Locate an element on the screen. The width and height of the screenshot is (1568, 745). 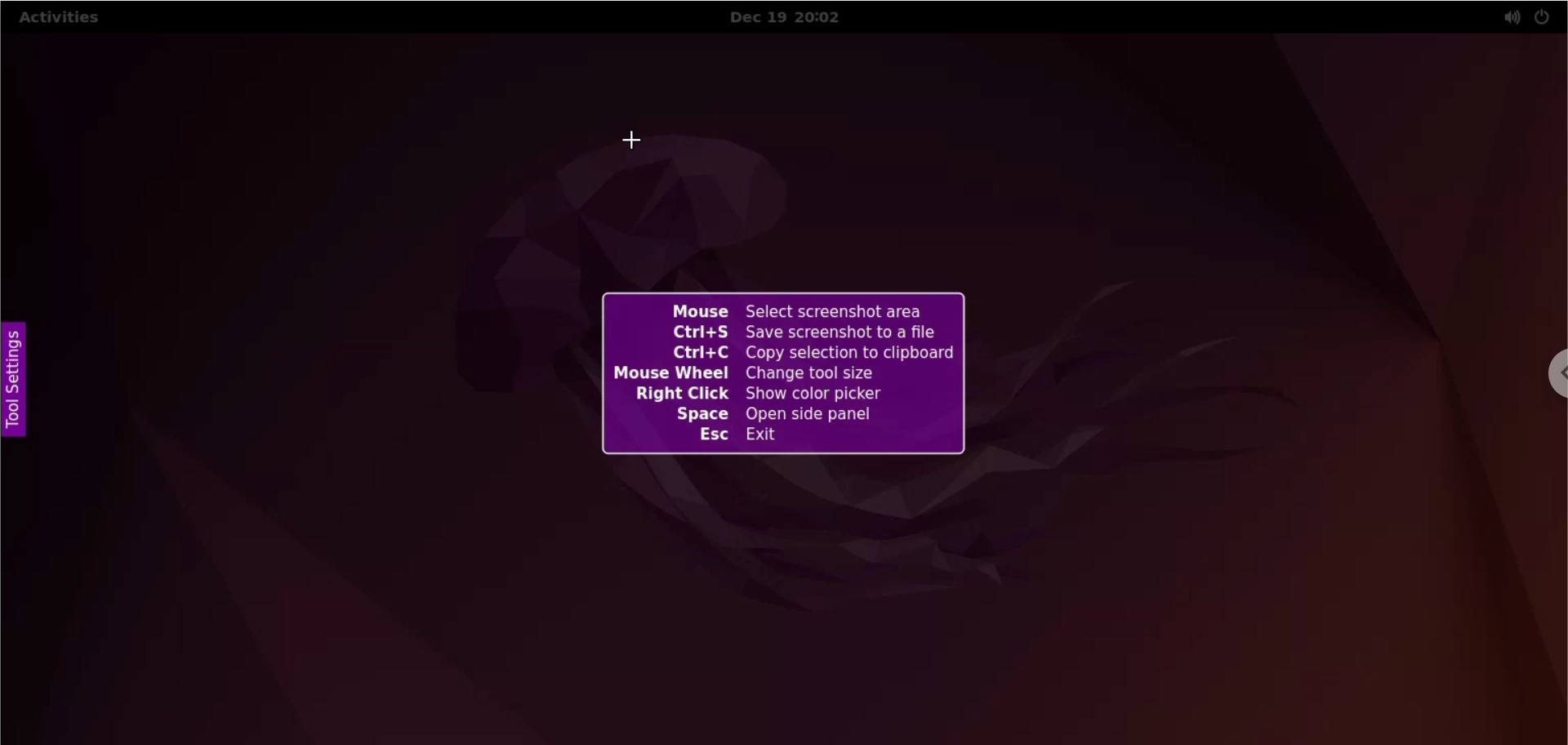
activities is located at coordinates (60, 20).